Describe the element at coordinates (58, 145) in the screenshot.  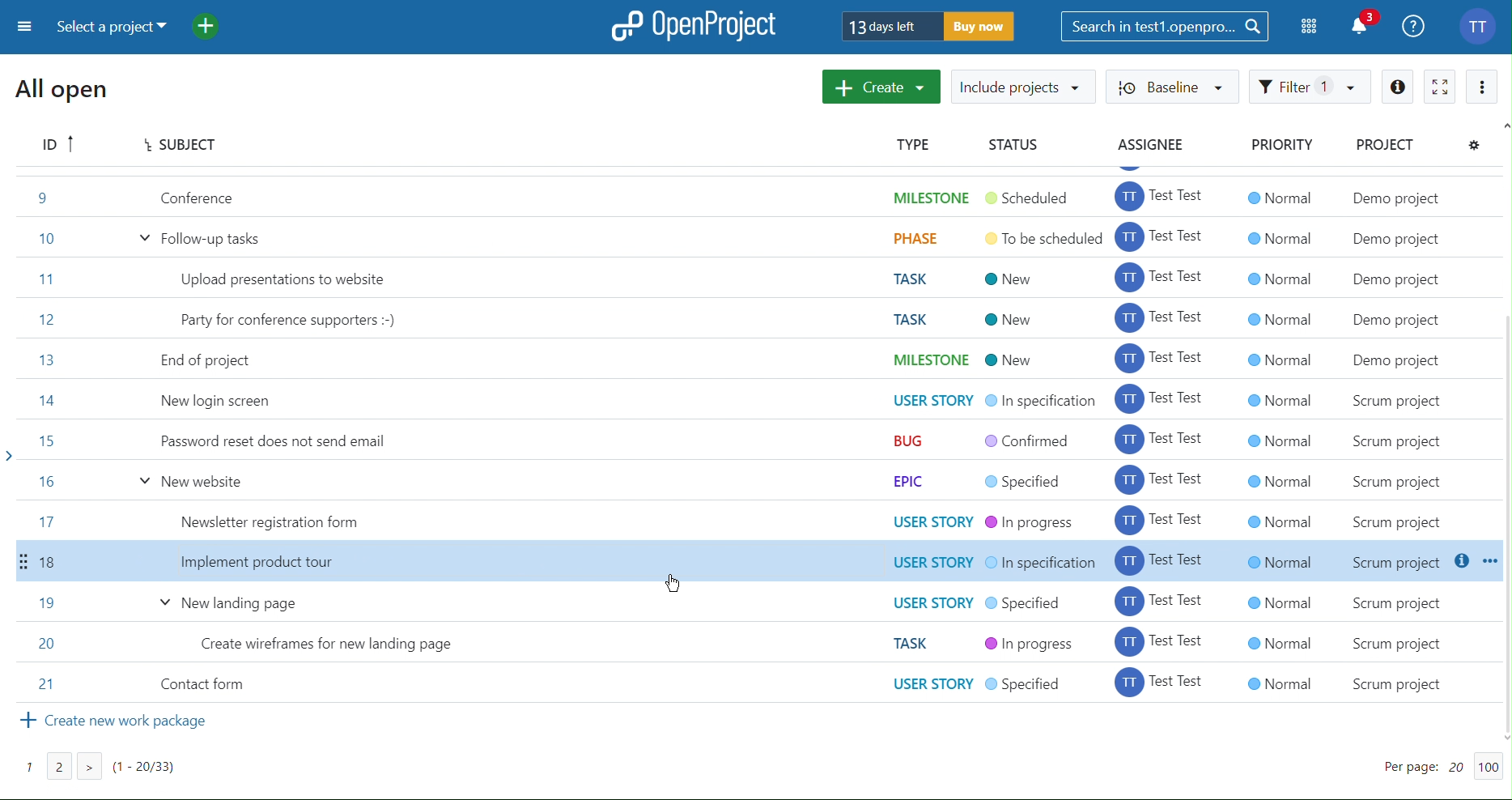
I see `ID` at that location.